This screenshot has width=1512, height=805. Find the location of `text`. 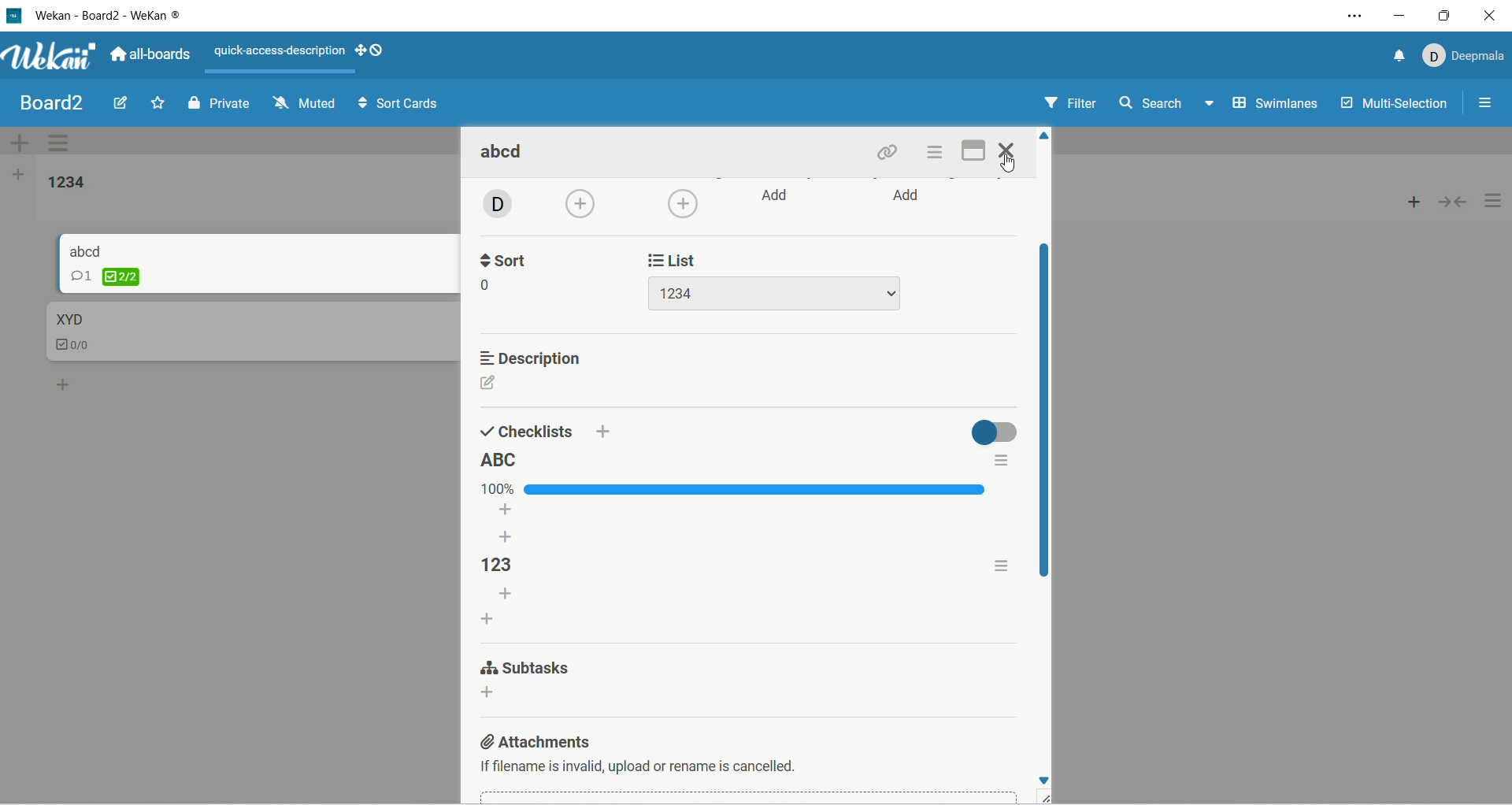

text is located at coordinates (280, 51).